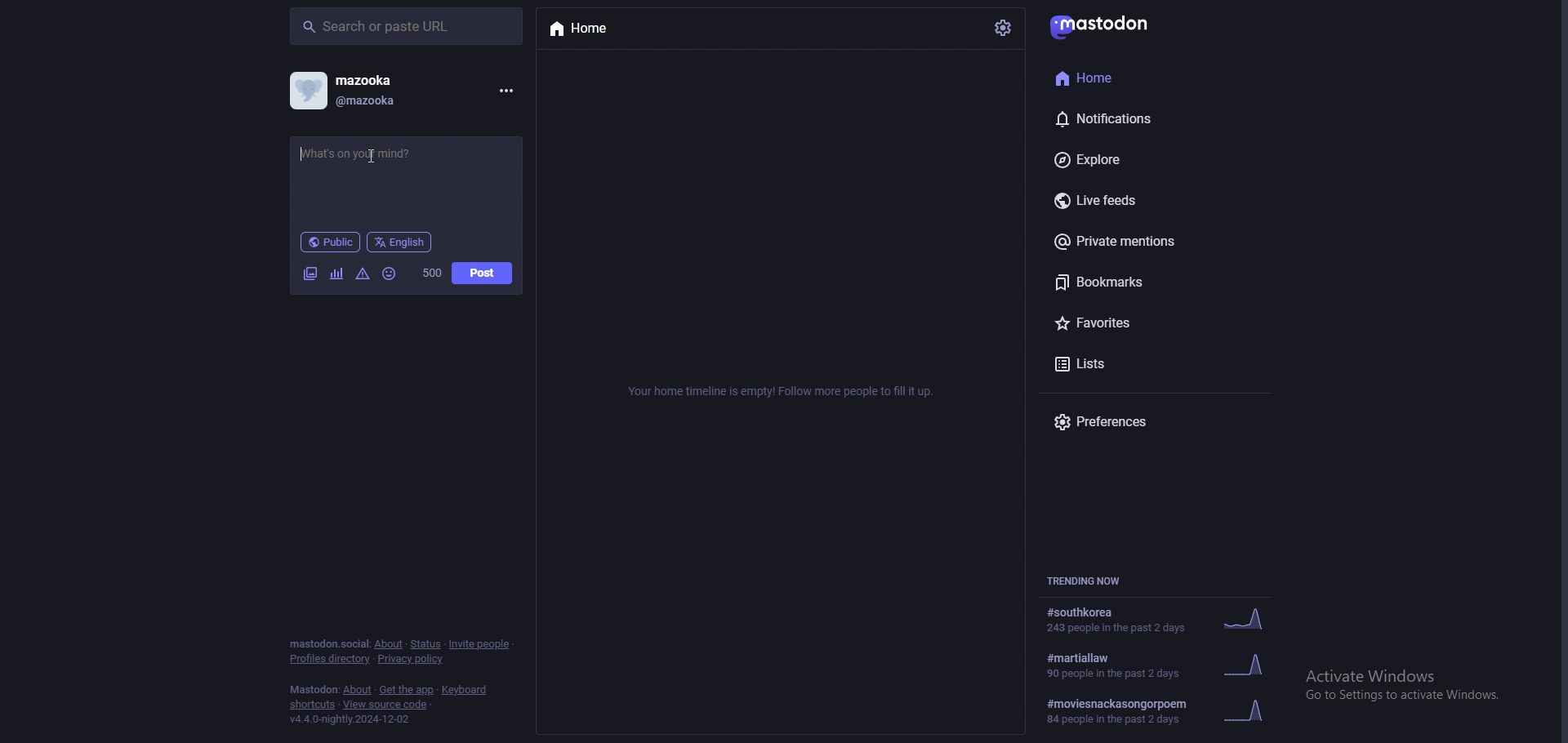  I want to click on search bar, so click(406, 26).